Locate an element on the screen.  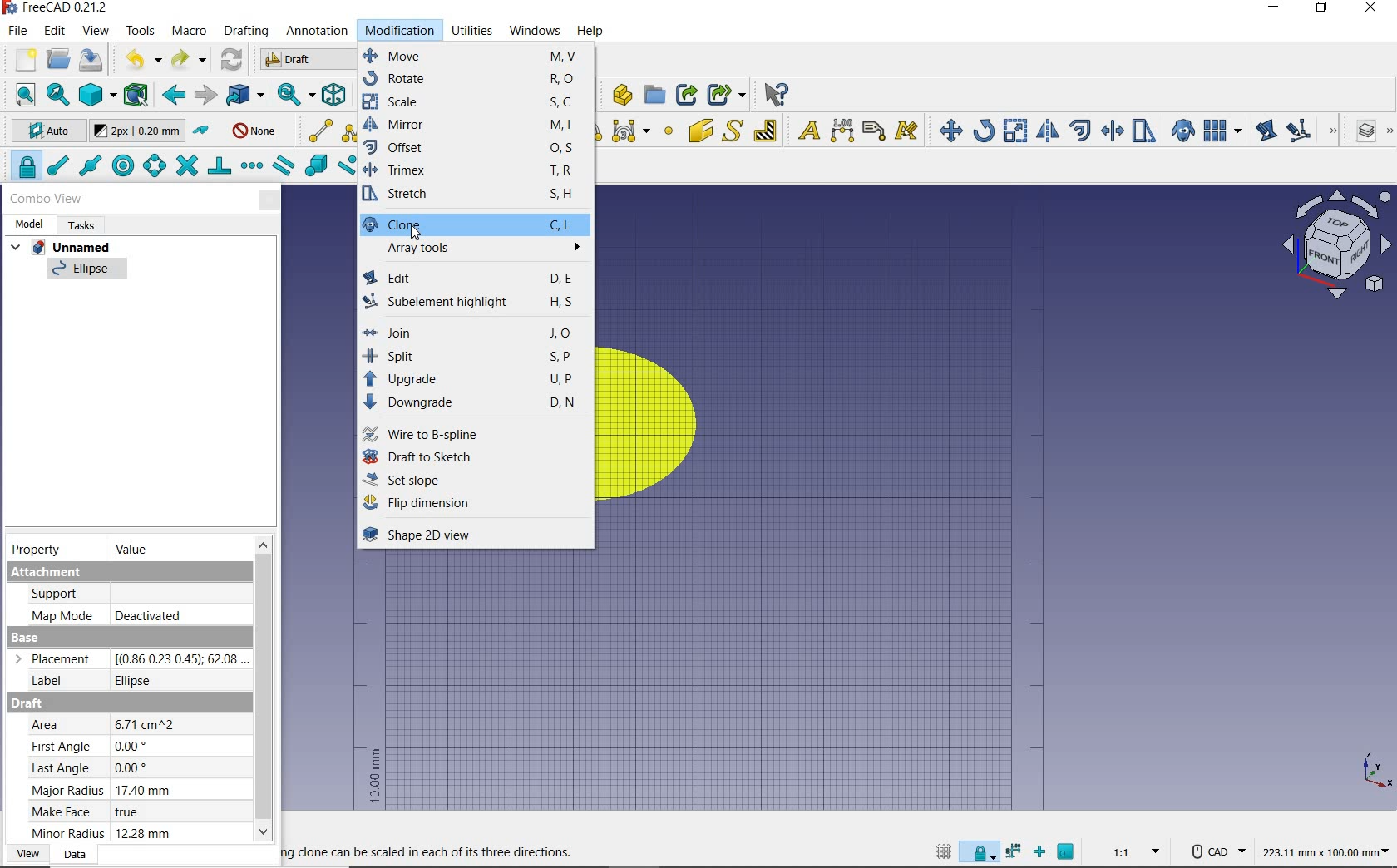
snap parallel is located at coordinates (284, 165).